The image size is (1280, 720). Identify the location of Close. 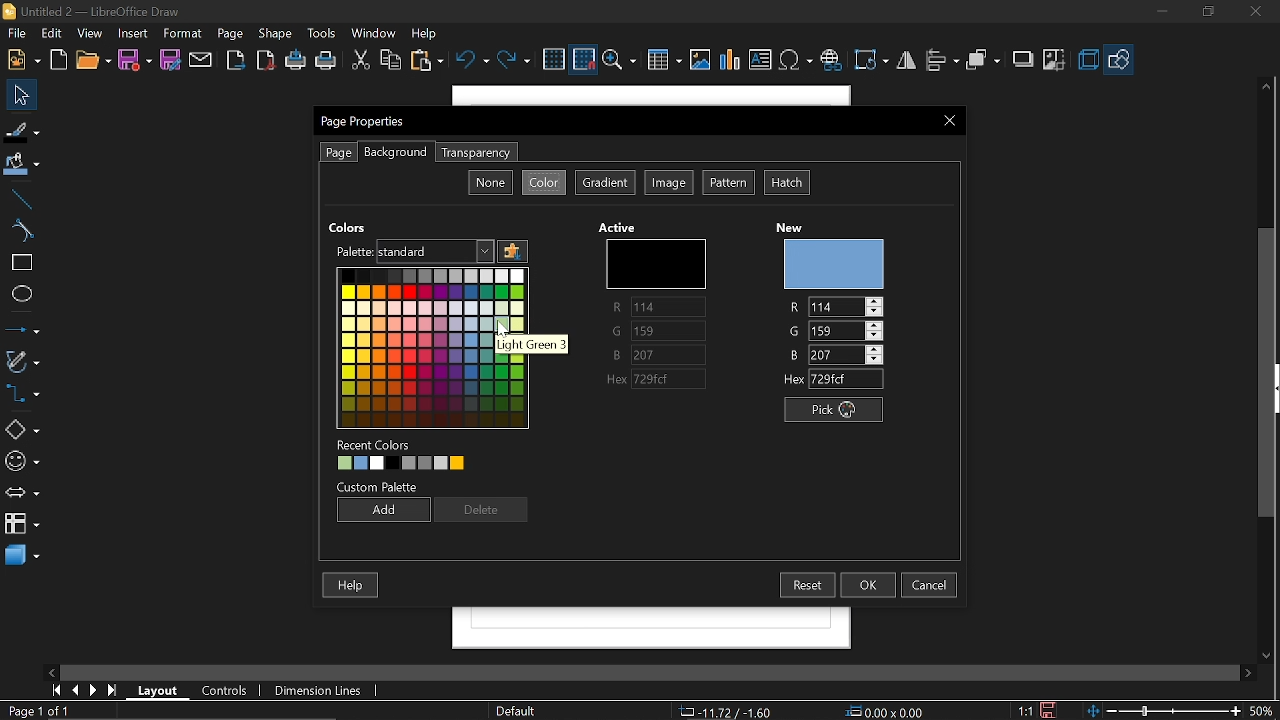
(950, 121).